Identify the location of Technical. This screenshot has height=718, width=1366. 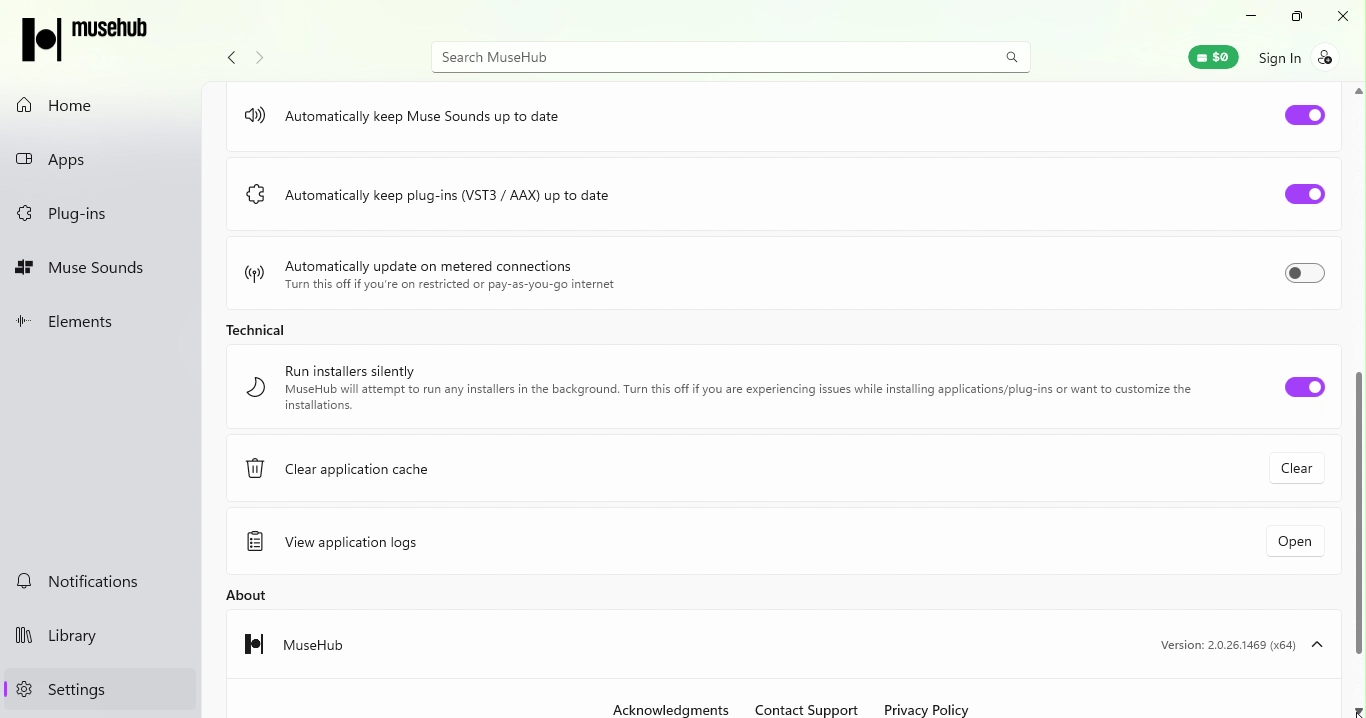
(265, 334).